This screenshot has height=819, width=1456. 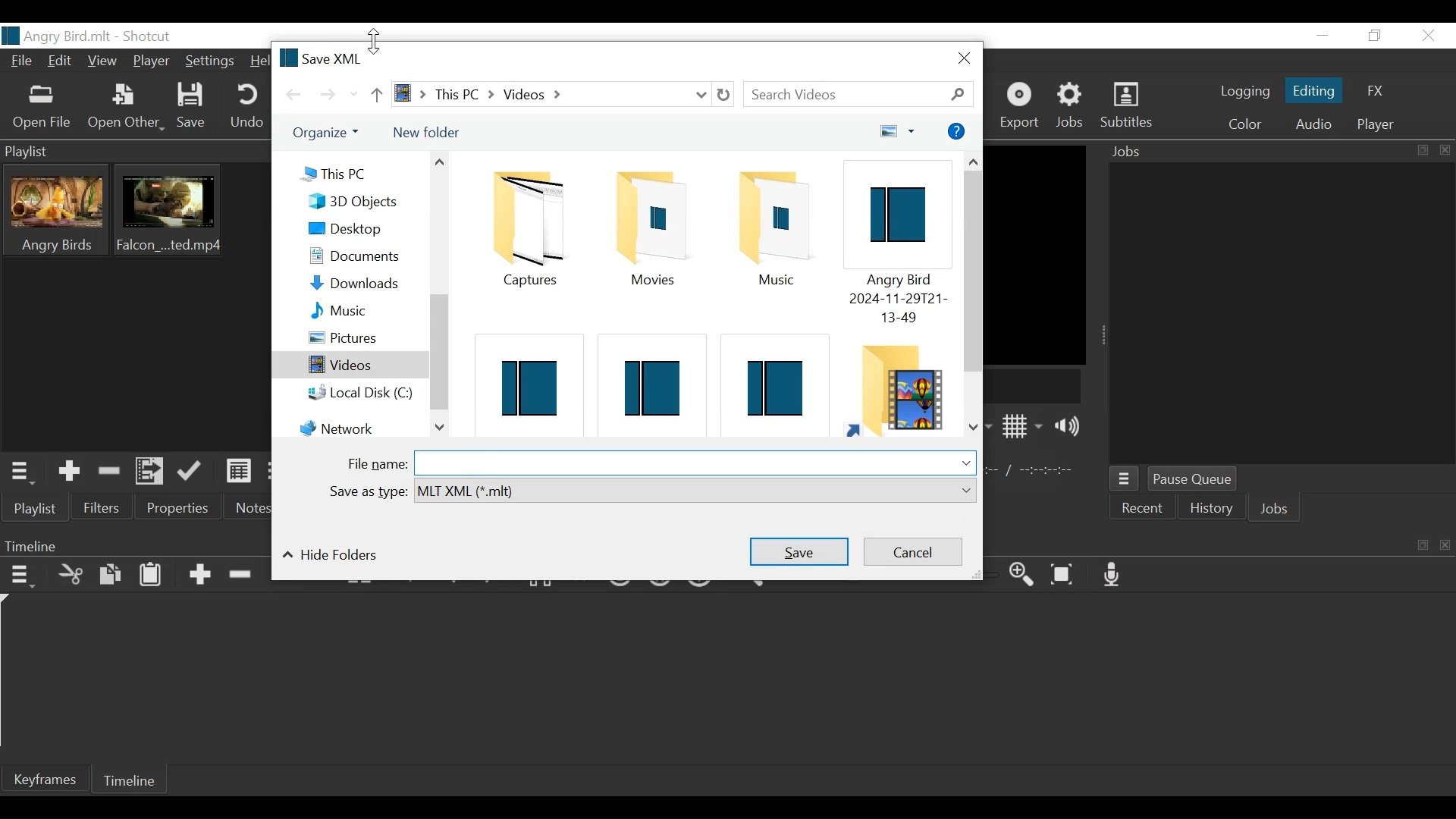 What do you see at coordinates (22, 63) in the screenshot?
I see `File` at bounding box center [22, 63].